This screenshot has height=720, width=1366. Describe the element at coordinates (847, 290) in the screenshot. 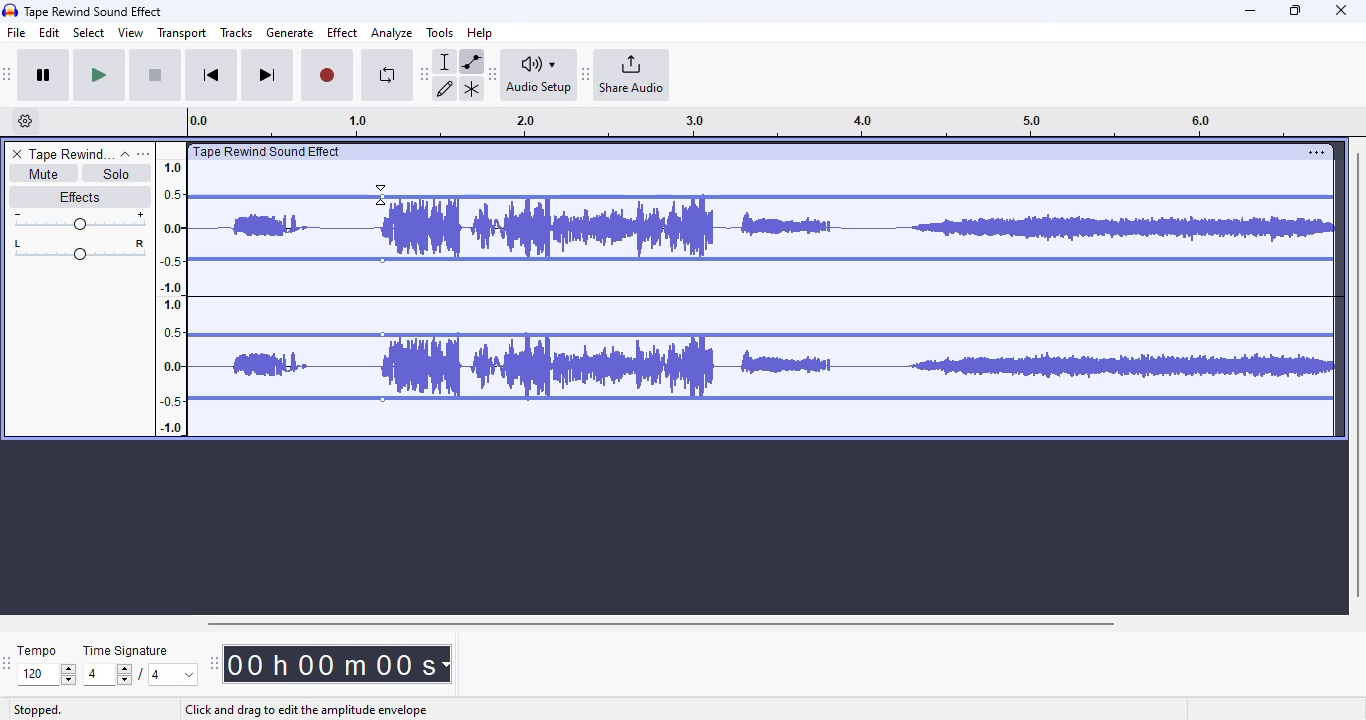

I see `volume of the track reduced` at that location.